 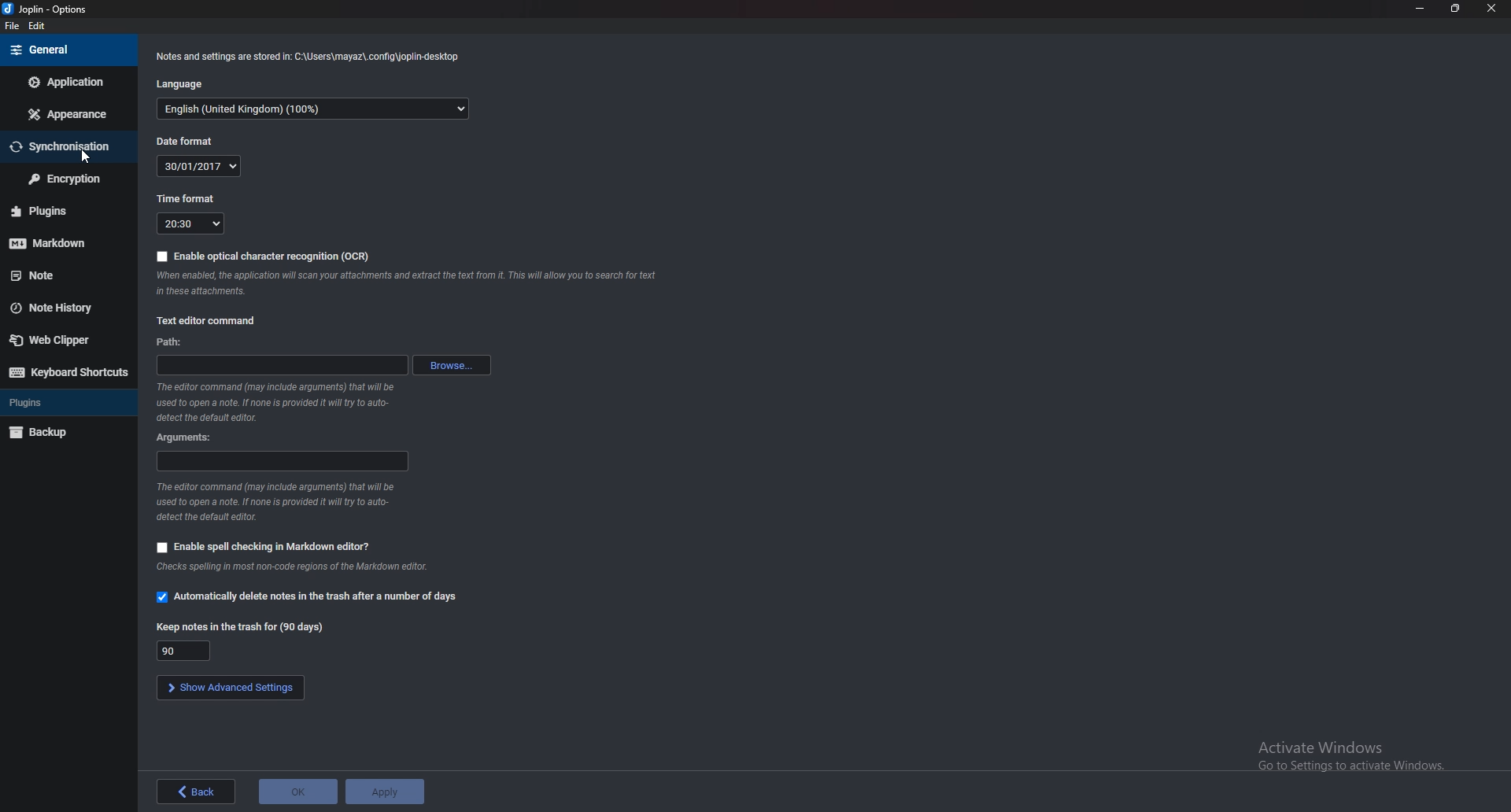 I want to click on notehistory, so click(x=65, y=308).